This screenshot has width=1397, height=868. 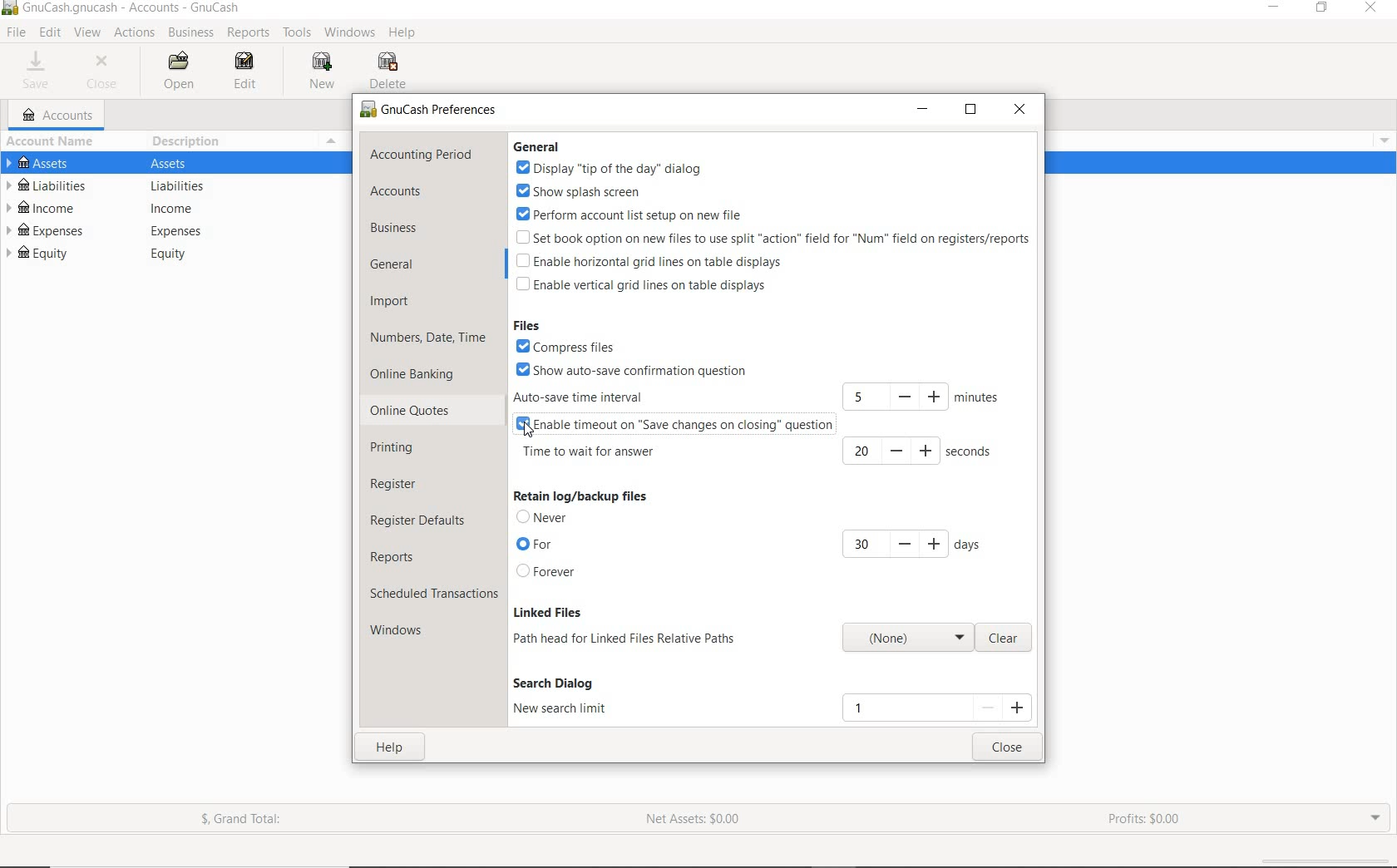 I want to click on HELP, so click(x=403, y=34).